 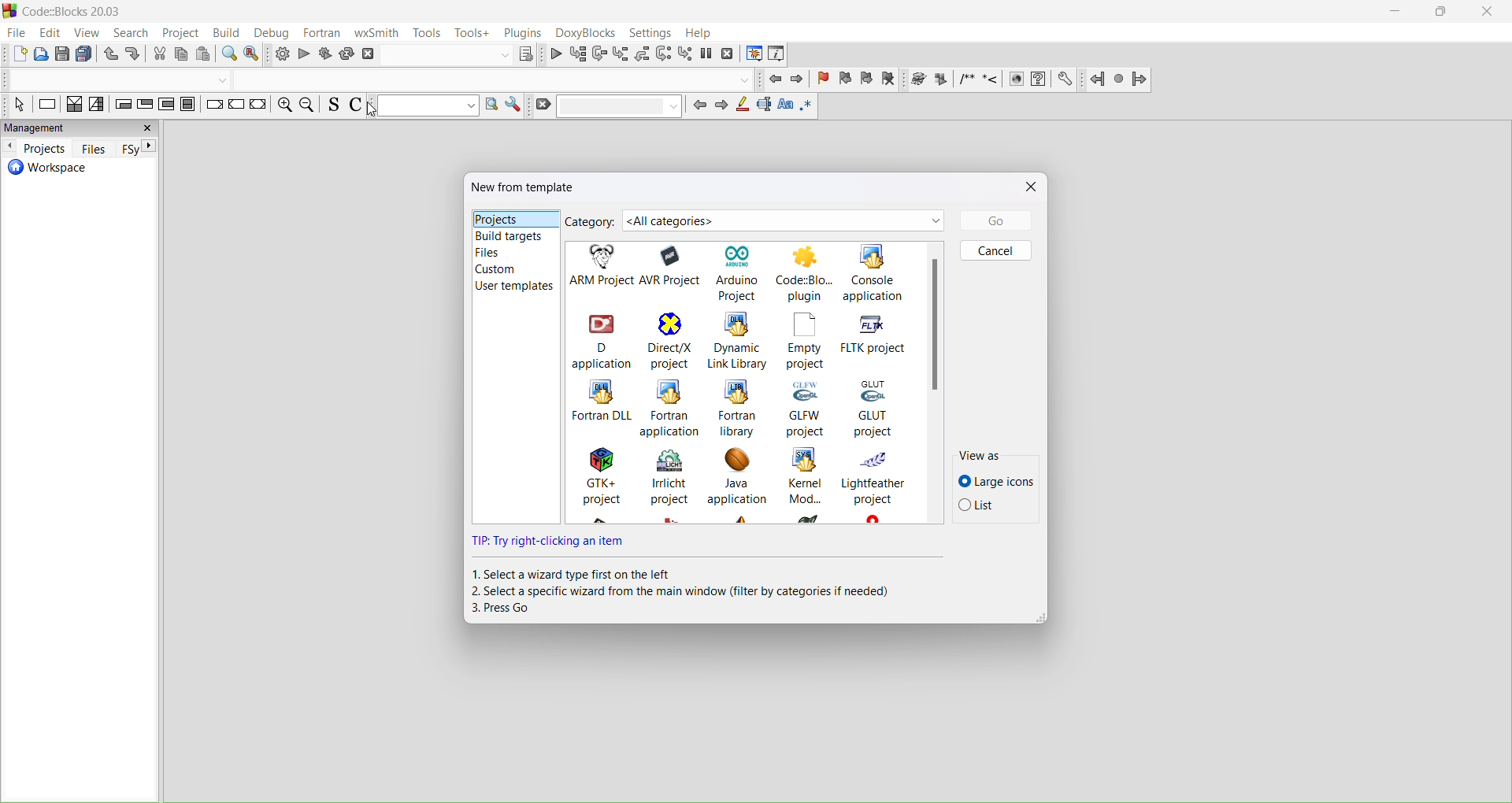 What do you see at coordinates (512, 270) in the screenshot?
I see `custom` at bounding box center [512, 270].